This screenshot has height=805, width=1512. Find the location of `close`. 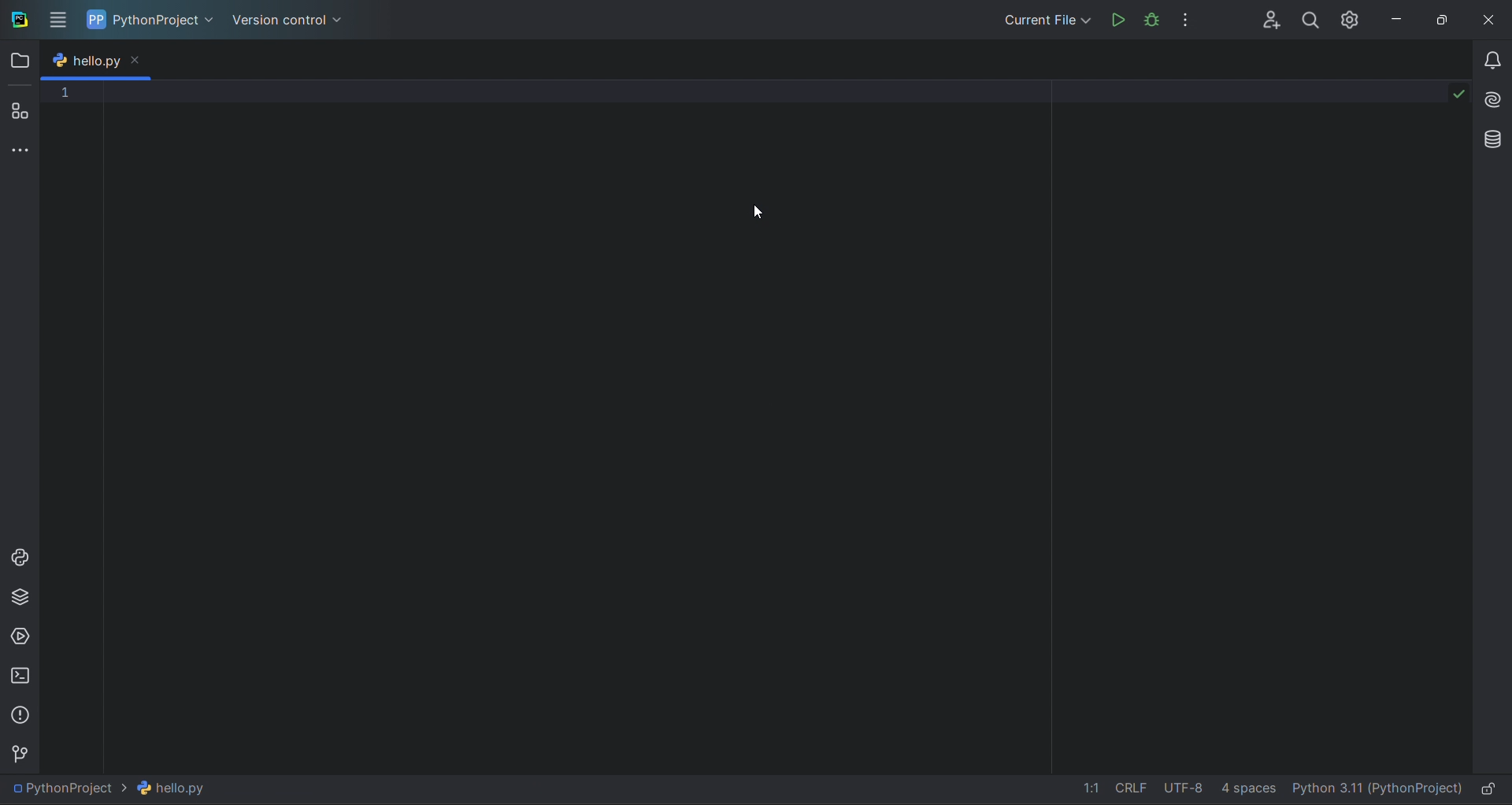

close is located at coordinates (1492, 16).